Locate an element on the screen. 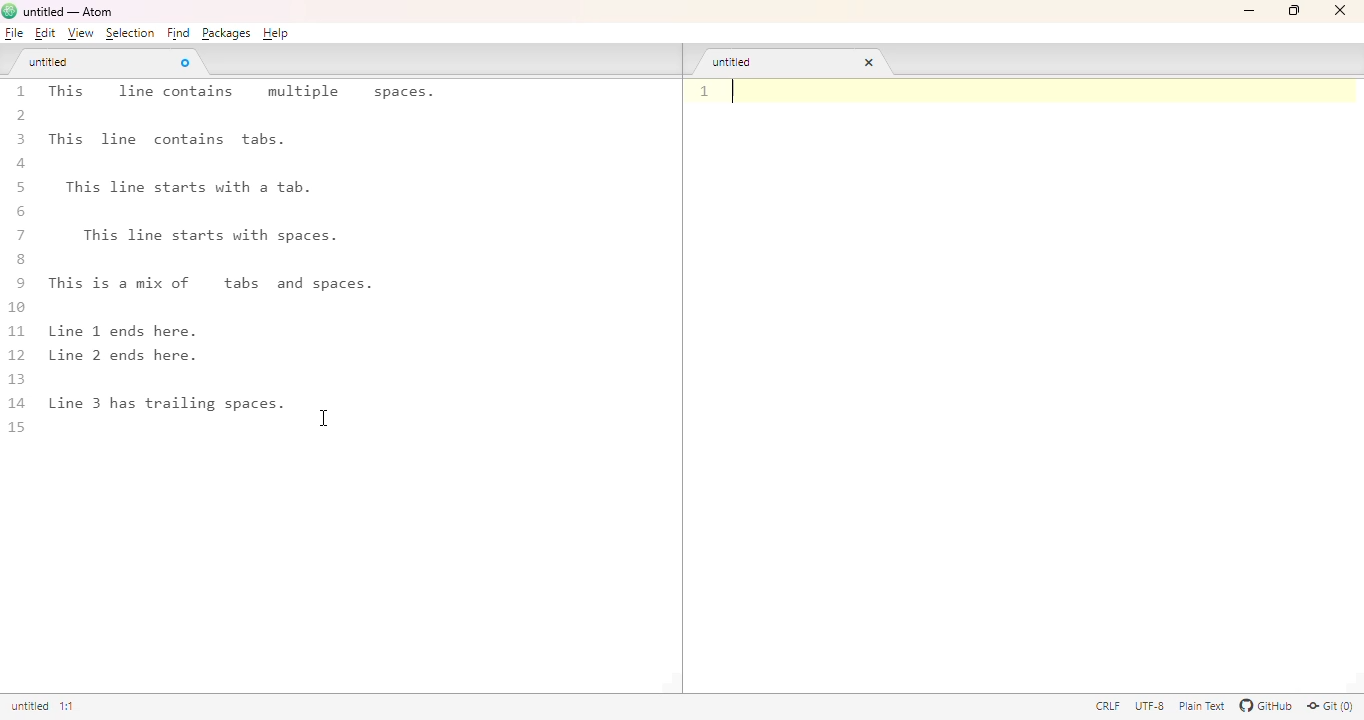 This screenshot has height=720, width=1364. close is located at coordinates (1340, 9).